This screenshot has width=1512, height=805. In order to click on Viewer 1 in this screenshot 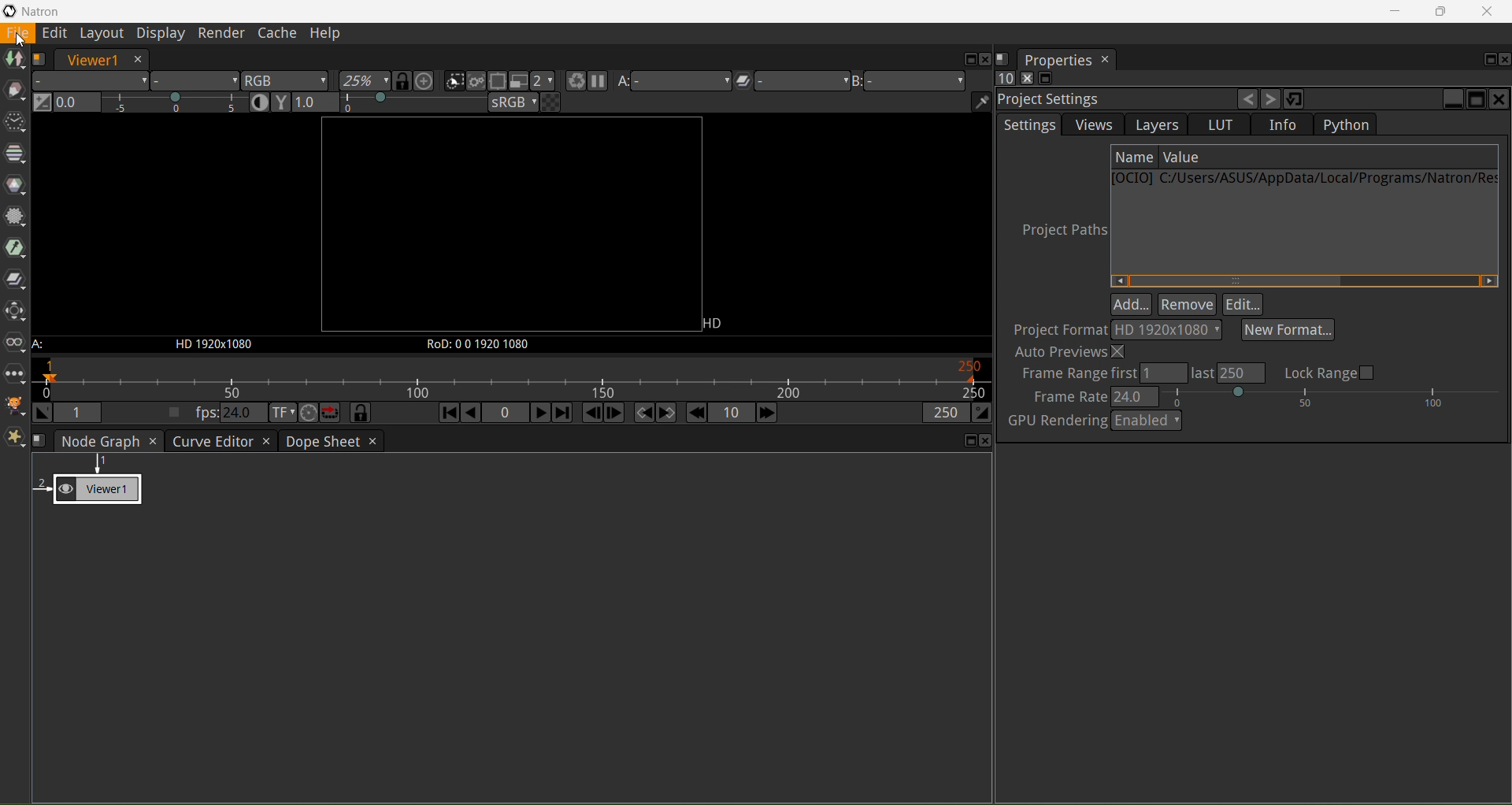, I will do `click(95, 485)`.